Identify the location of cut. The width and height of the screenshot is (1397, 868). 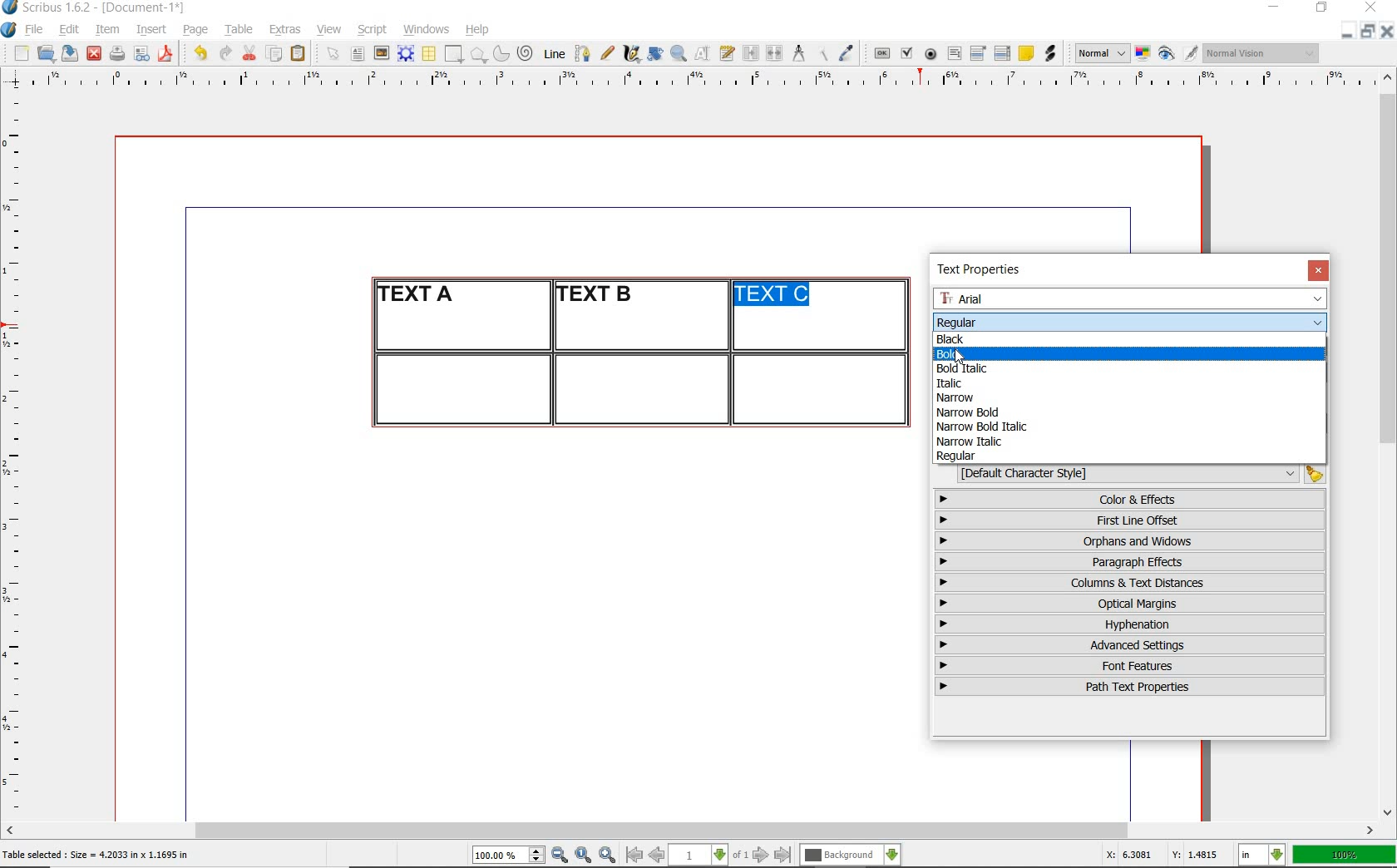
(249, 52).